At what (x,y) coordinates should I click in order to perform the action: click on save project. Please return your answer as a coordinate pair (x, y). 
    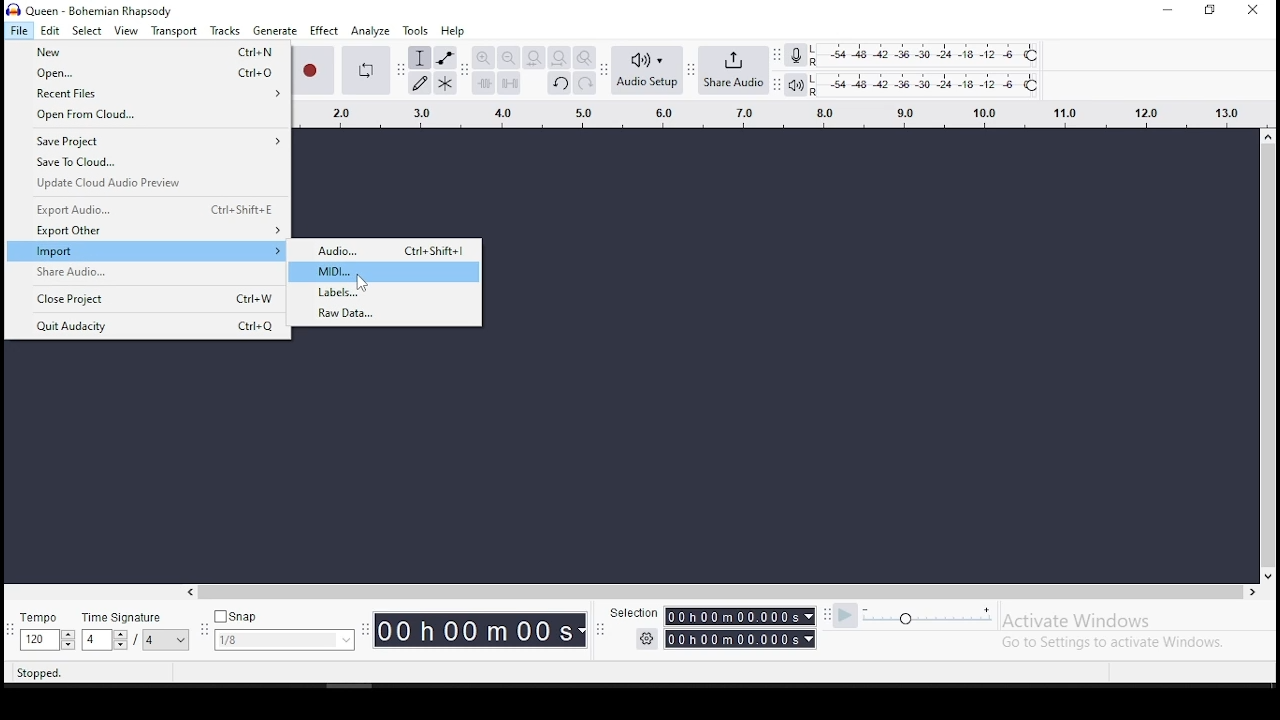
    Looking at the image, I should click on (146, 142).